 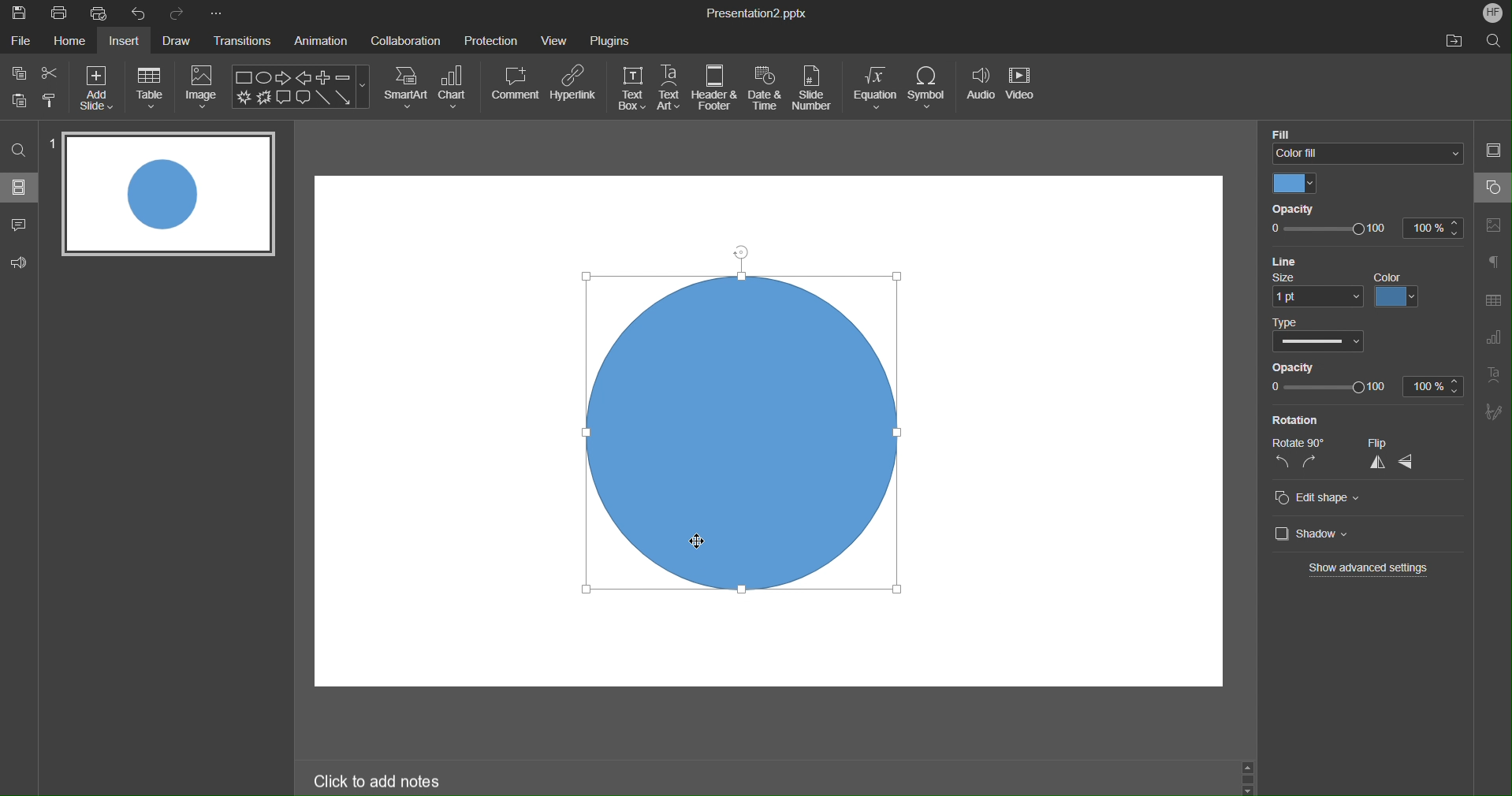 What do you see at coordinates (324, 42) in the screenshot?
I see `Animation` at bounding box center [324, 42].